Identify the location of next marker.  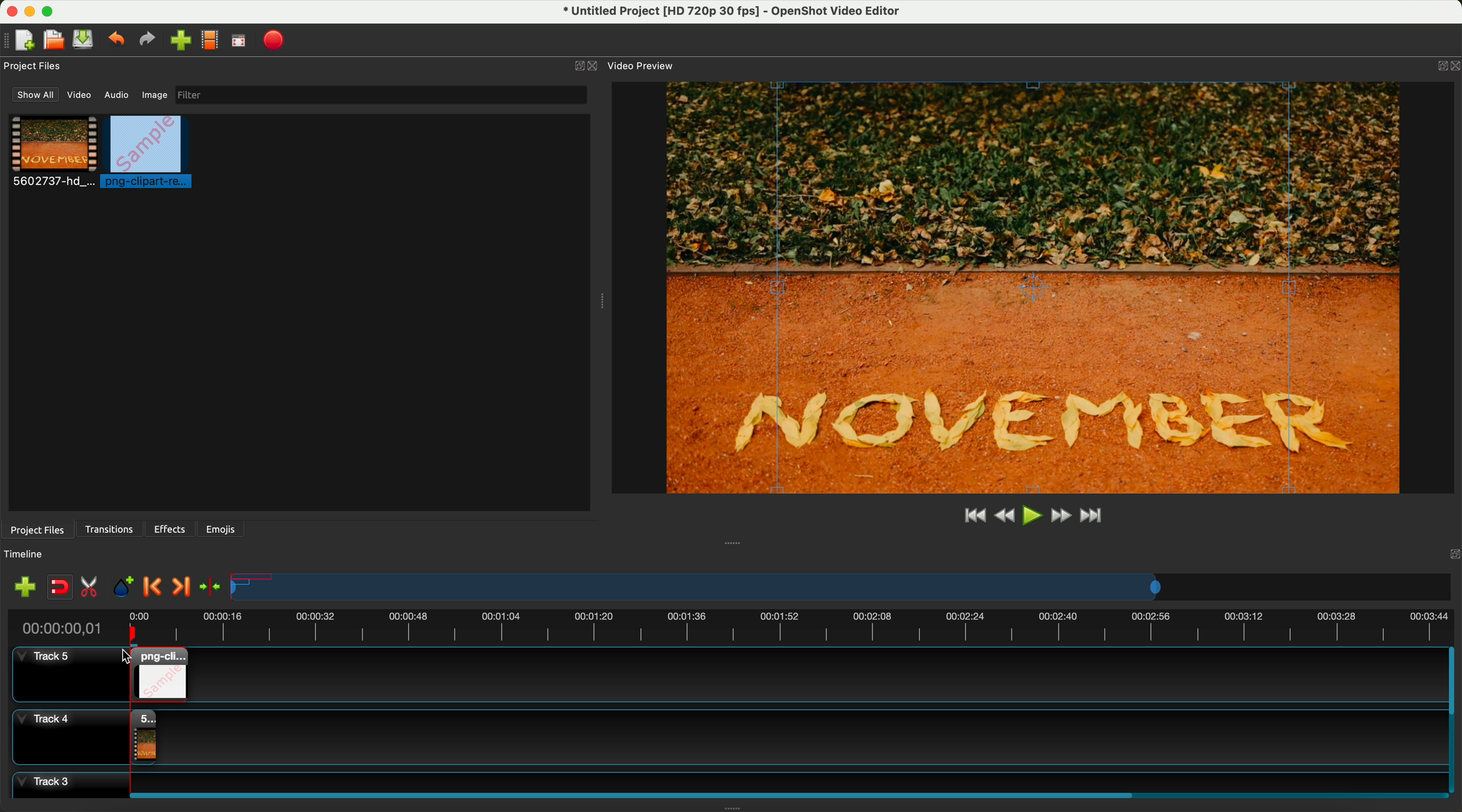
(180, 587).